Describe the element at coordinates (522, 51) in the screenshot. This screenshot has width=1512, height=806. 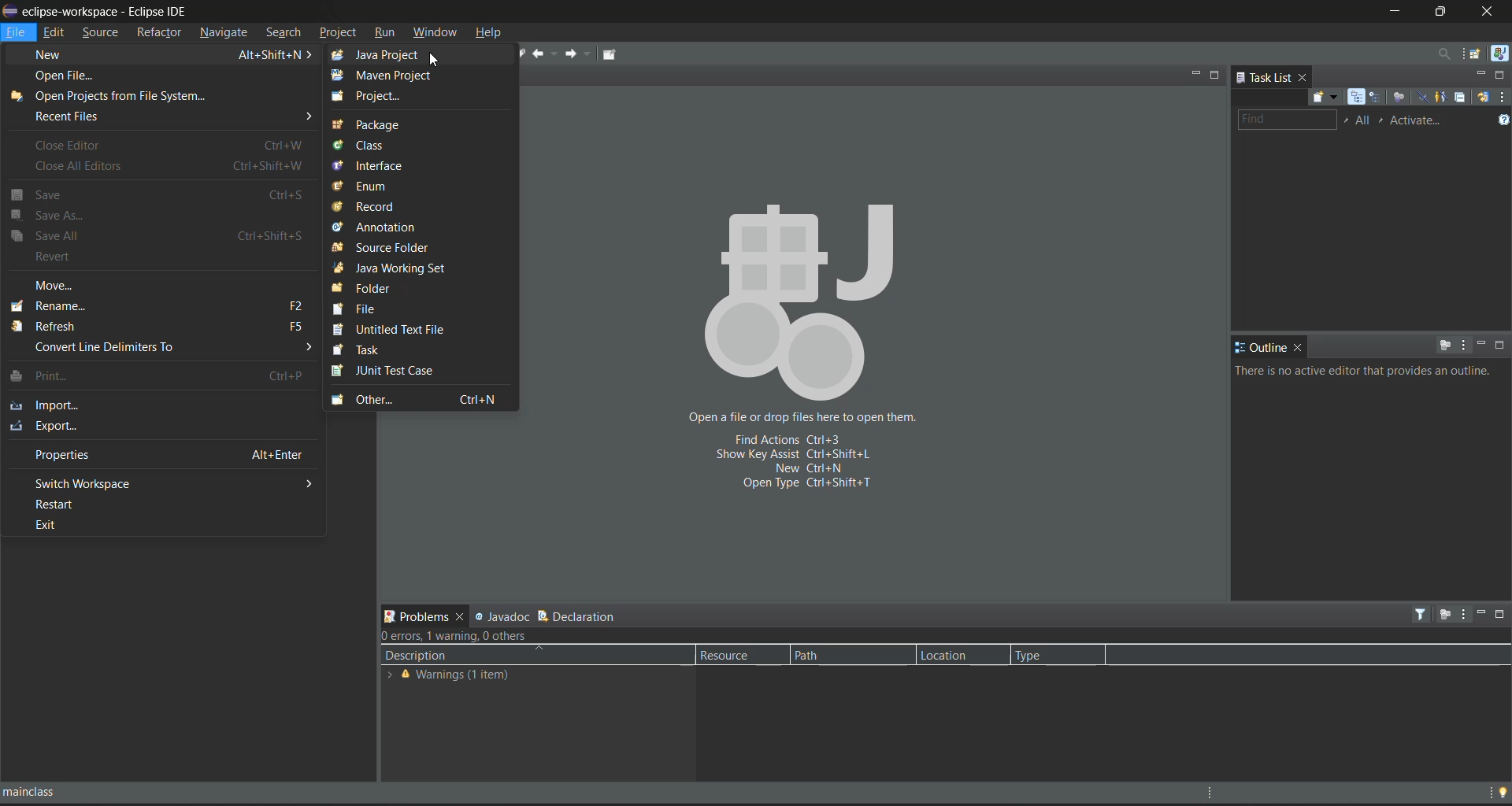
I see `next edit location` at that location.